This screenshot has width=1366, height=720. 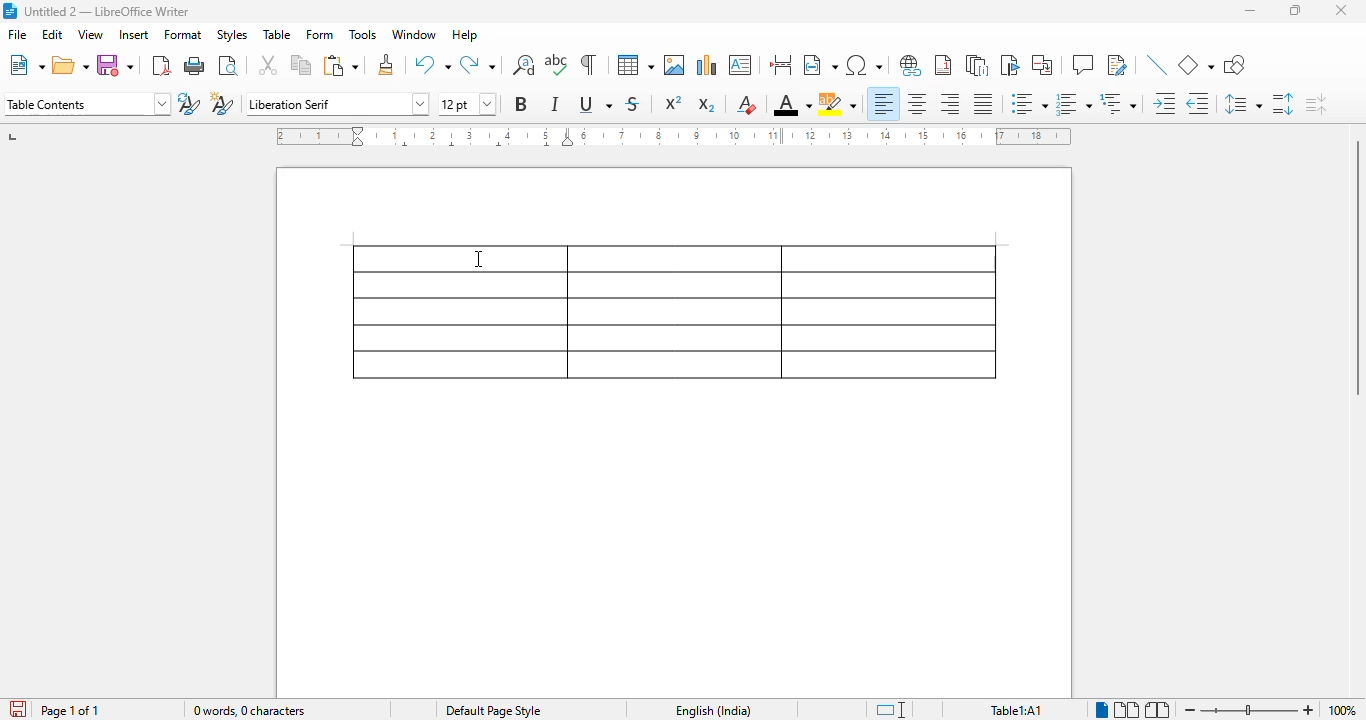 I want to click on vertical scroll bar, so click(x=1354, y=267).